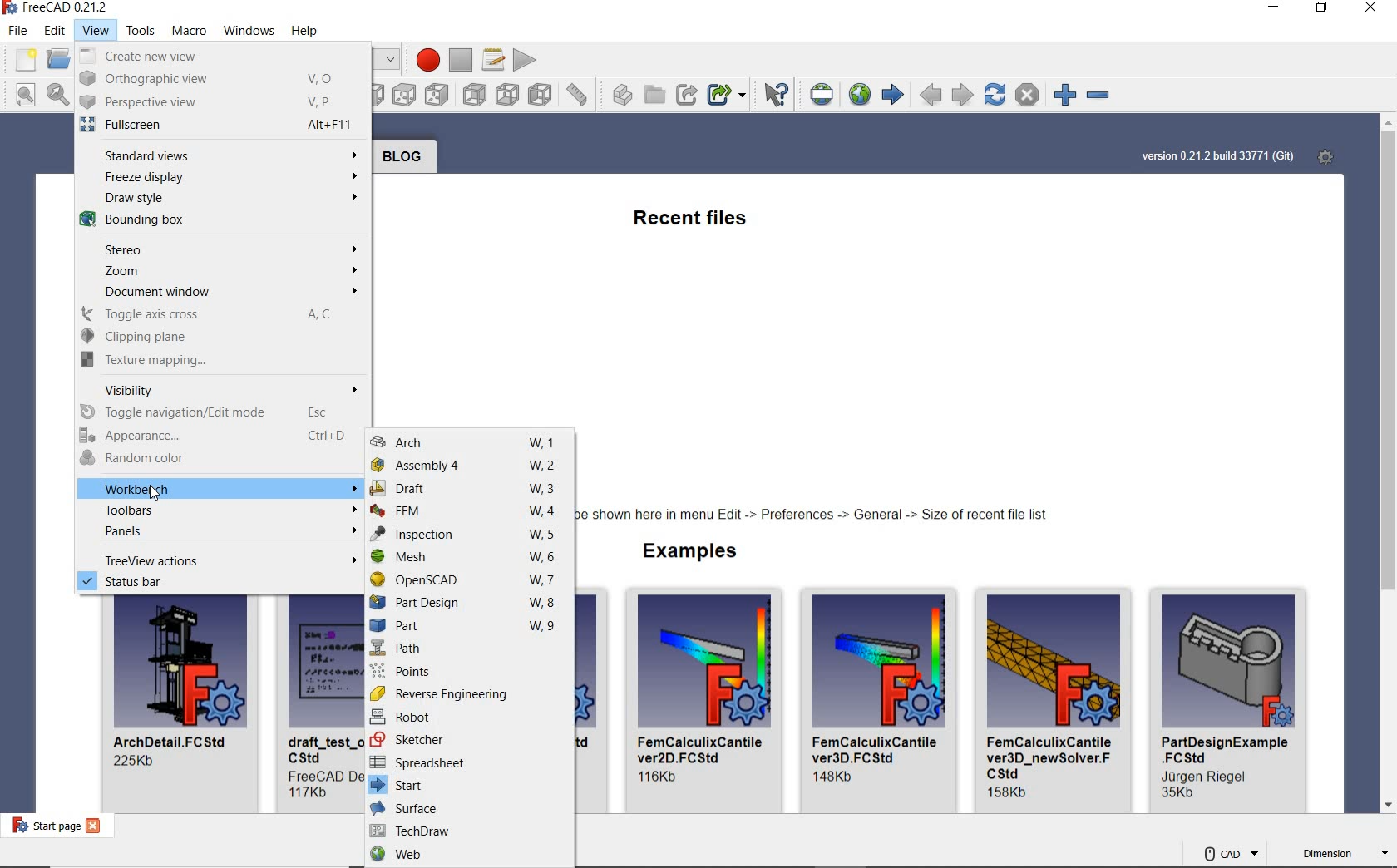  I want to click on top, so click(405, 96).